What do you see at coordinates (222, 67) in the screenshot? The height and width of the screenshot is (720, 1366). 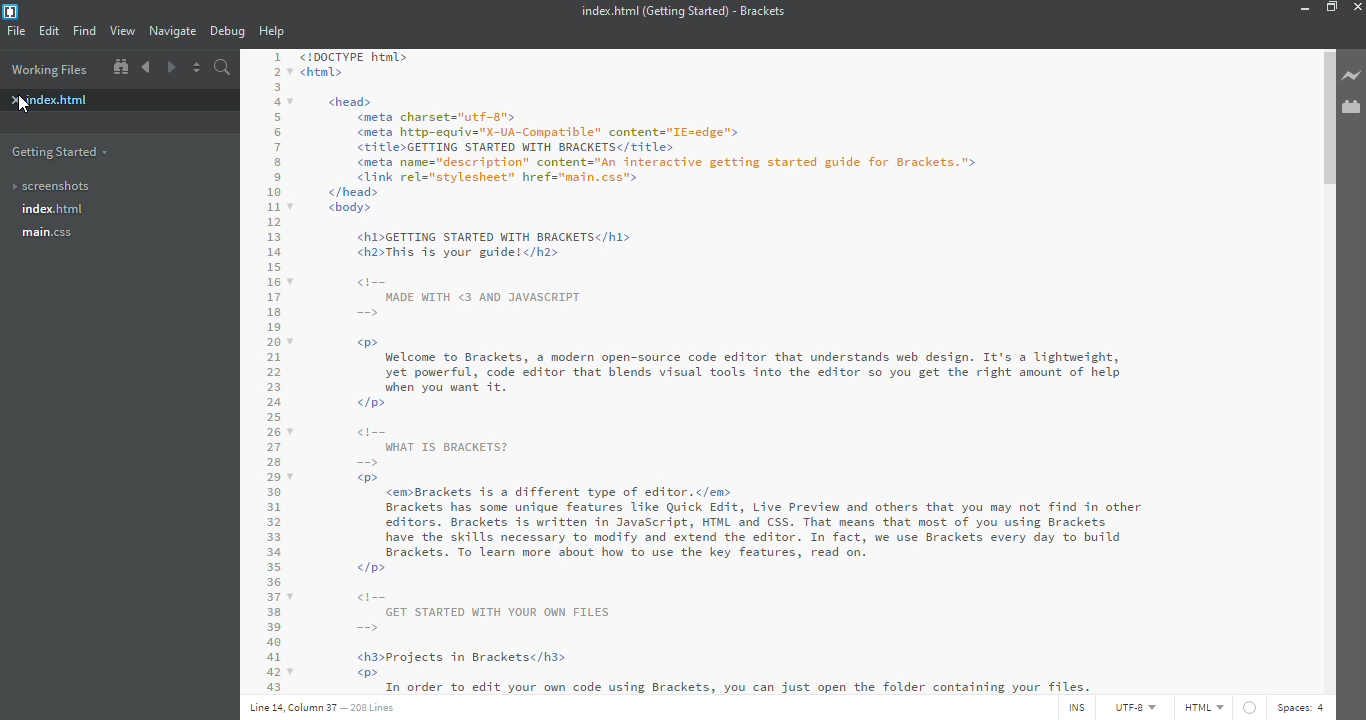 I see `search` at bounding box center [222, 67].